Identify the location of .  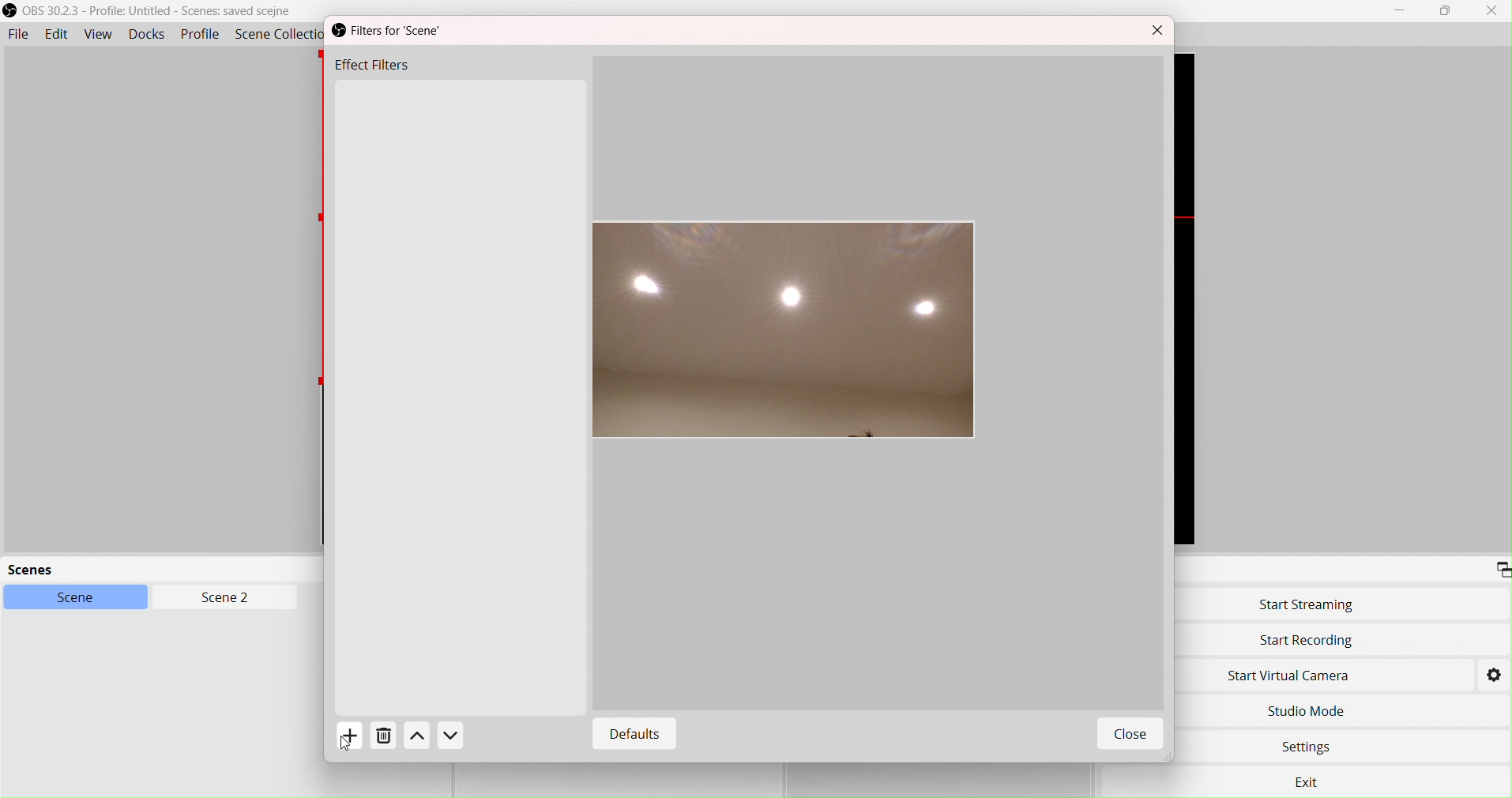
(180, 11).